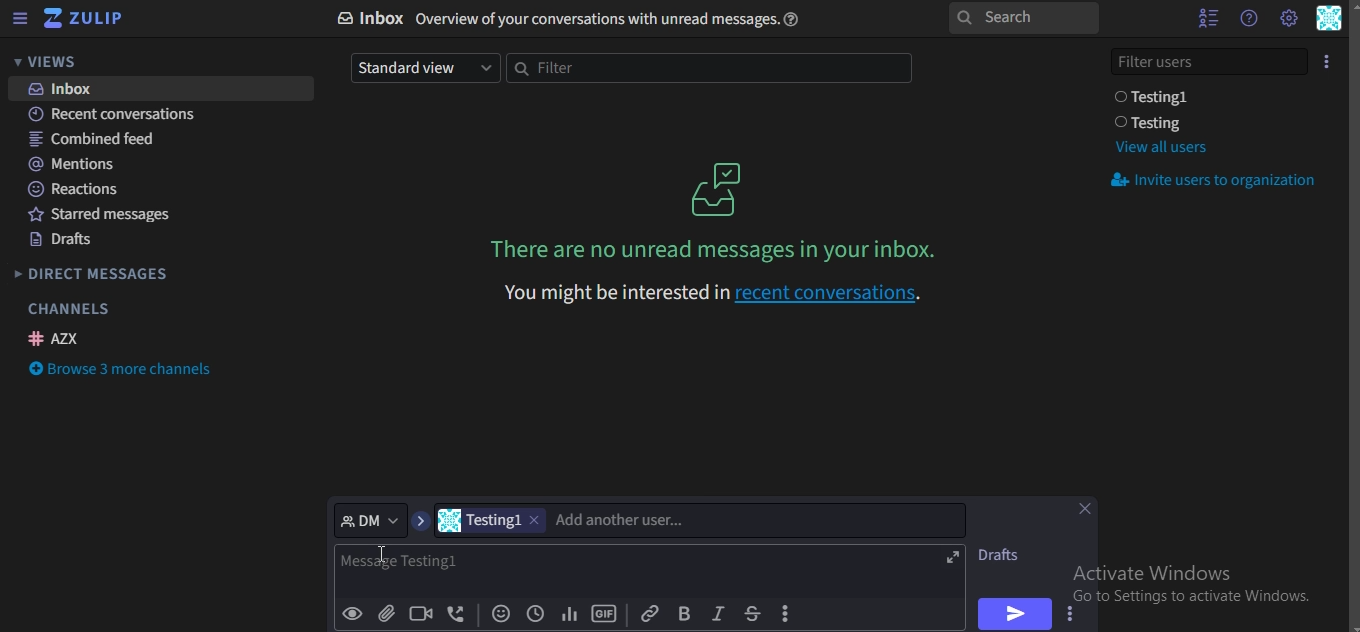  I want to click on draft, so click(1005, 555).